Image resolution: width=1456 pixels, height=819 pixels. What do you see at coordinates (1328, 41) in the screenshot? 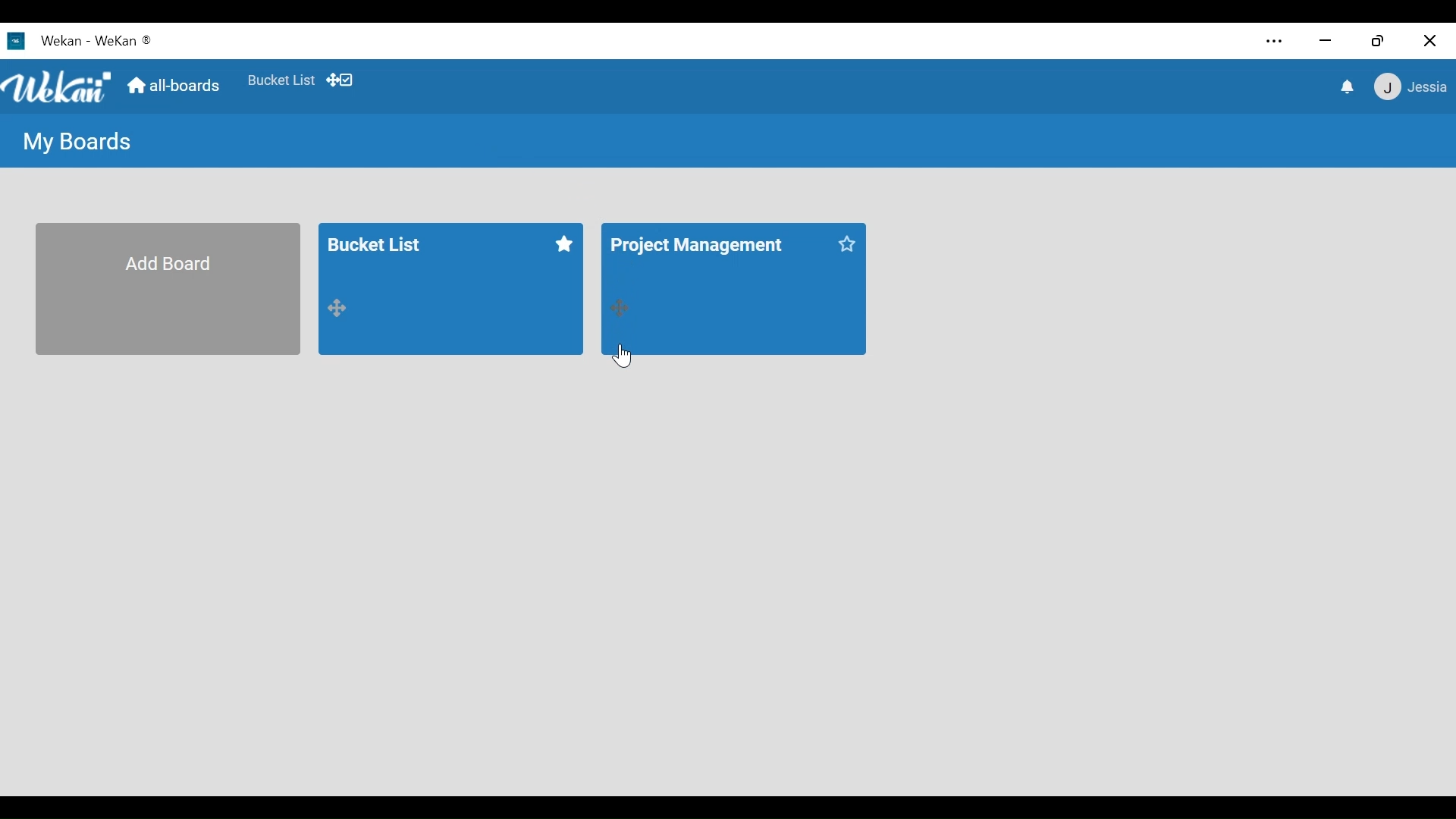
I see `close` at bounding box center [1328, 41].